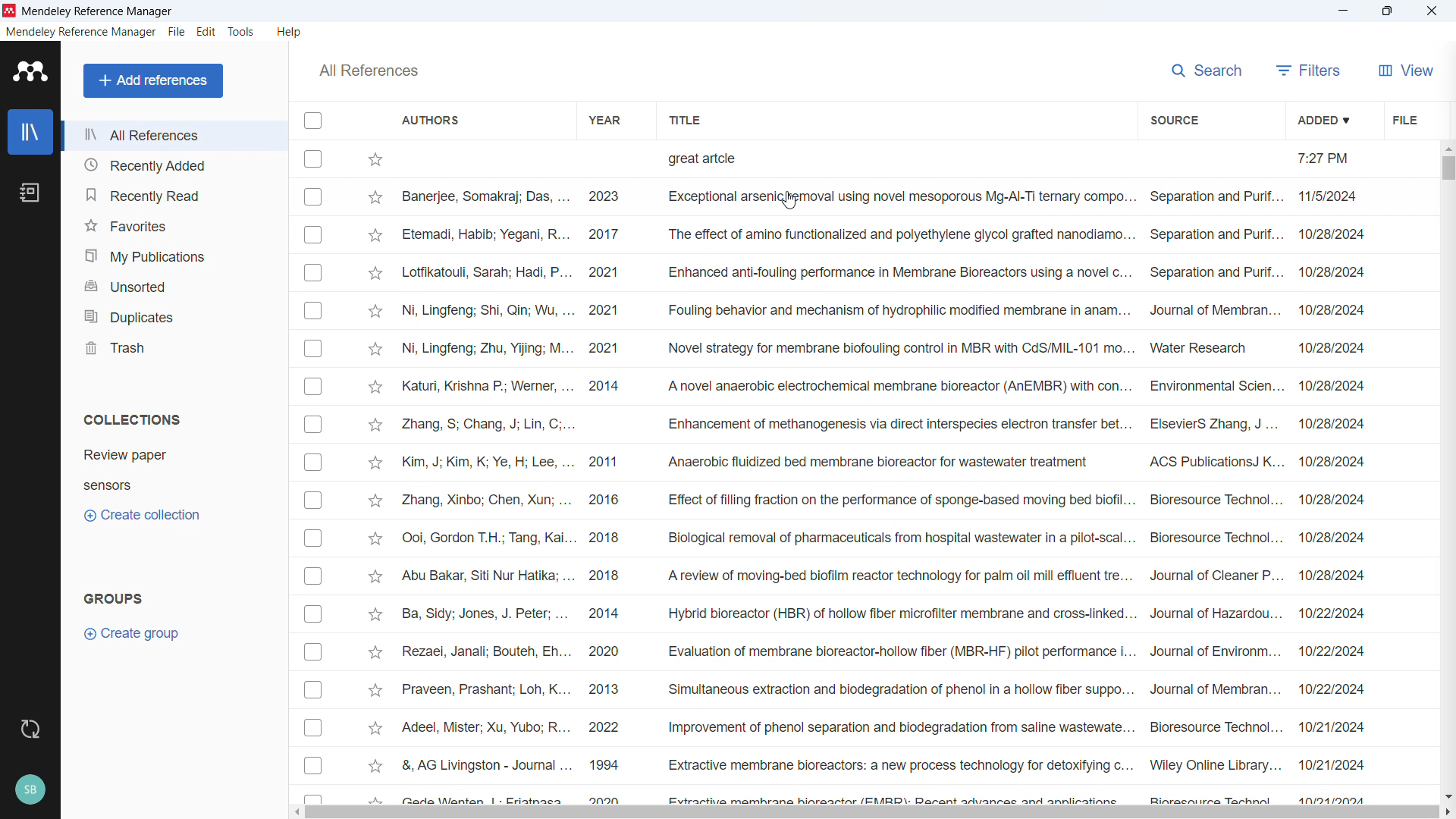  I want to click on Authors of individual entries , so click(486, 476).